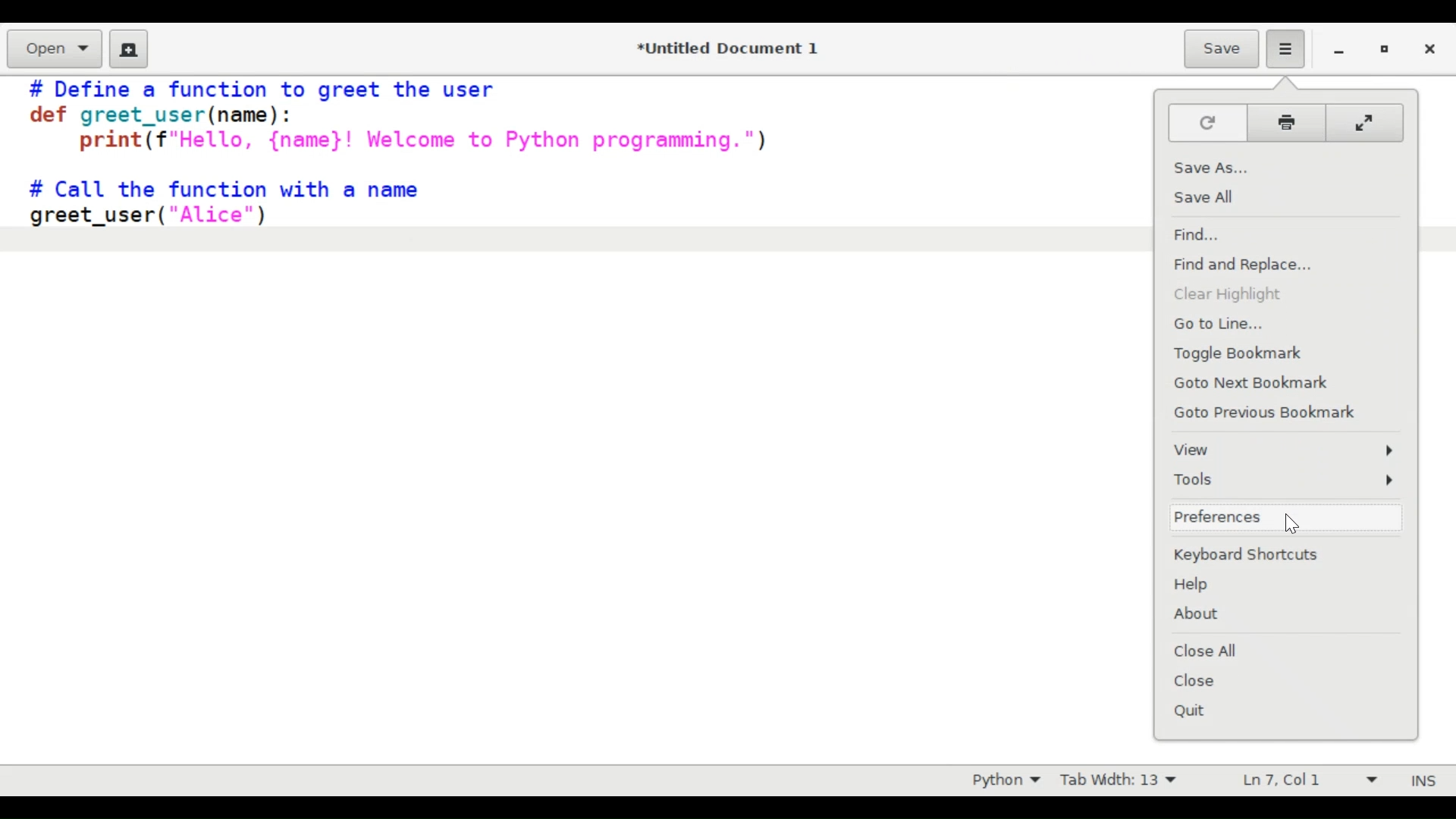 The width and height of the screenshot is (1456, 819). Describe the element at coordinates (1288, 48) in the screenshot. I see `Preferences` at that location.